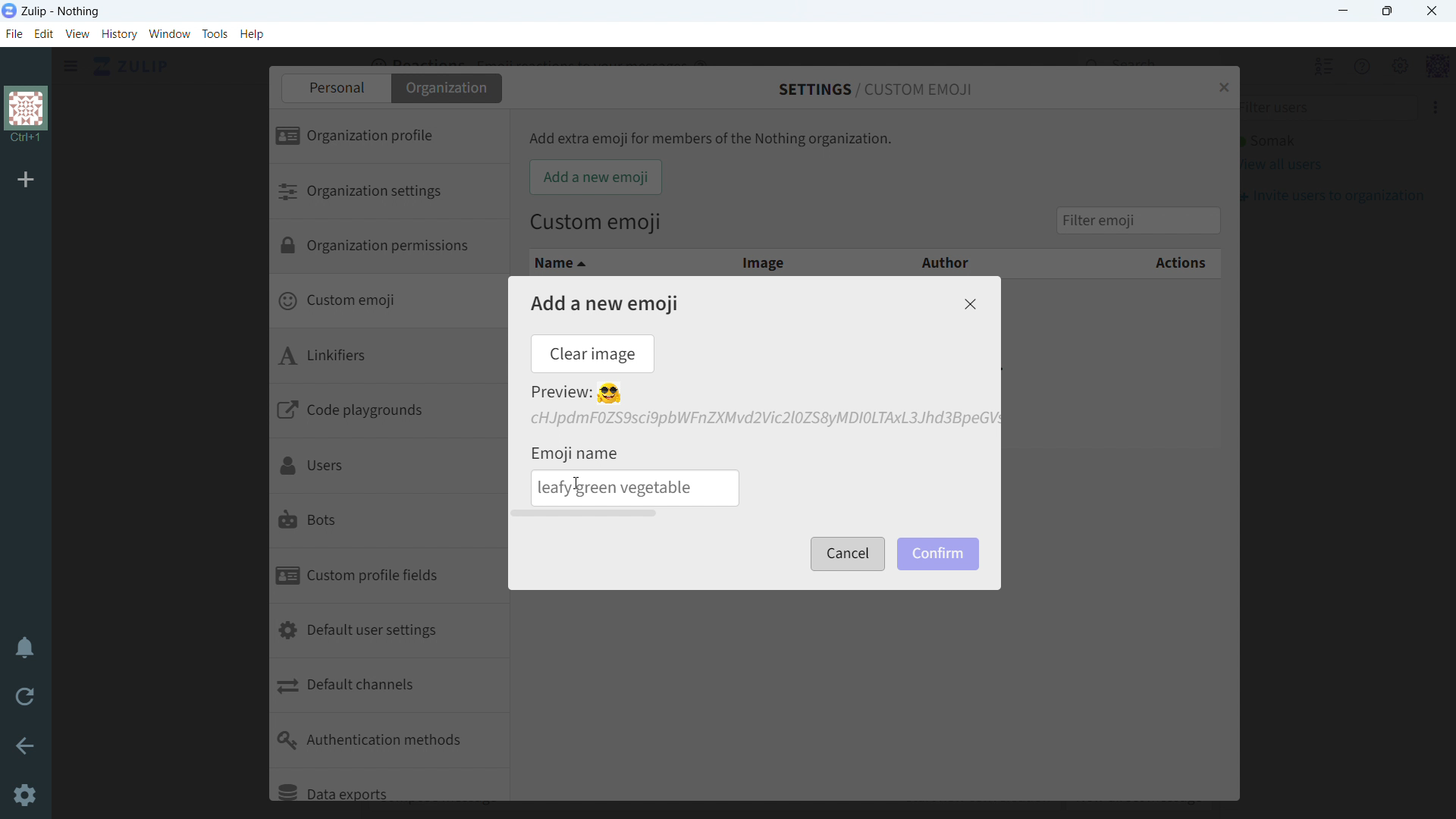 This screenshot has width=1456, height=819. I want to click on custom profile fields, so click(388, 577).